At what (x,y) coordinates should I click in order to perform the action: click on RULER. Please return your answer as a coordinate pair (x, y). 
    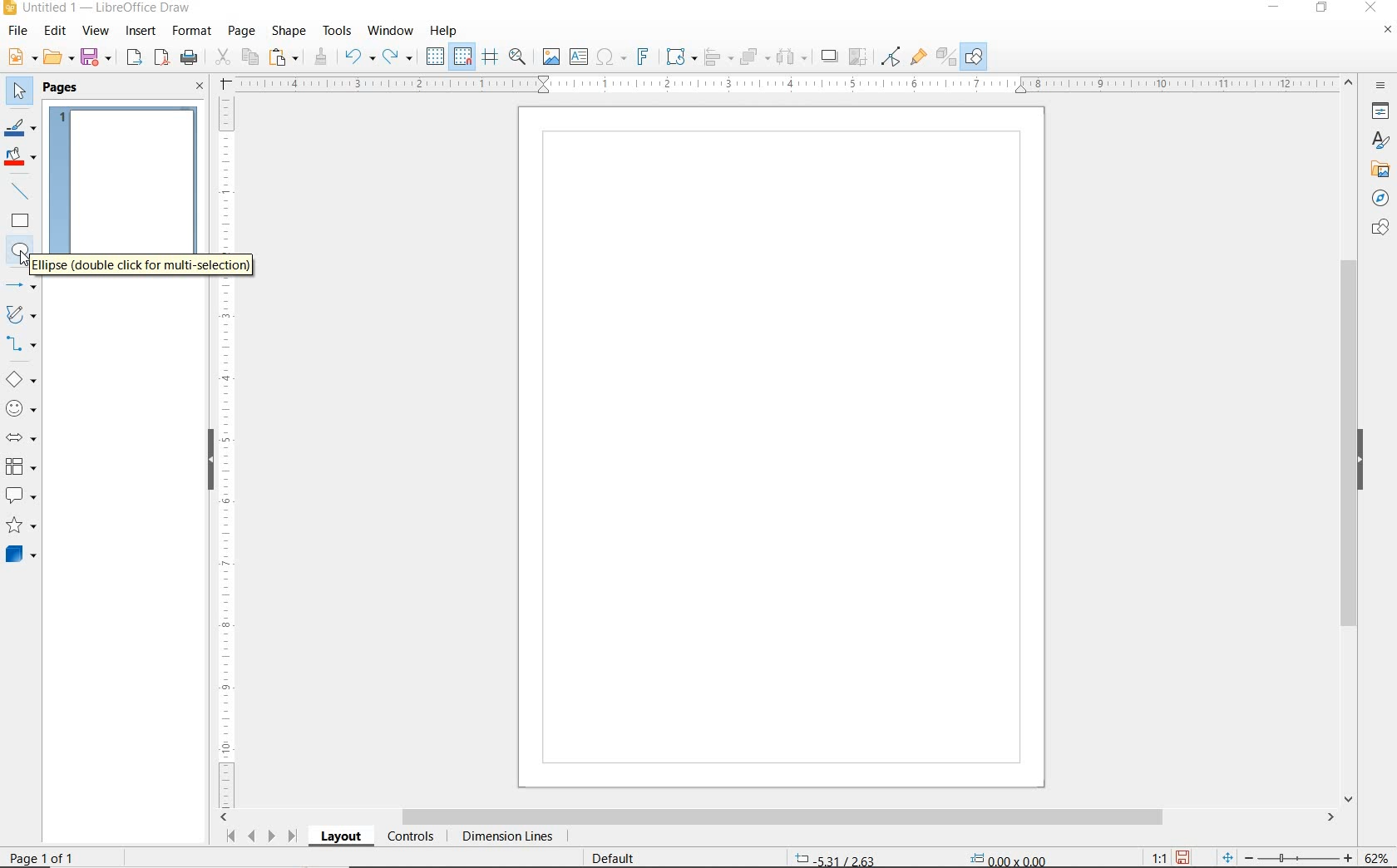
    Looking at the image, I should click on (788, 85).